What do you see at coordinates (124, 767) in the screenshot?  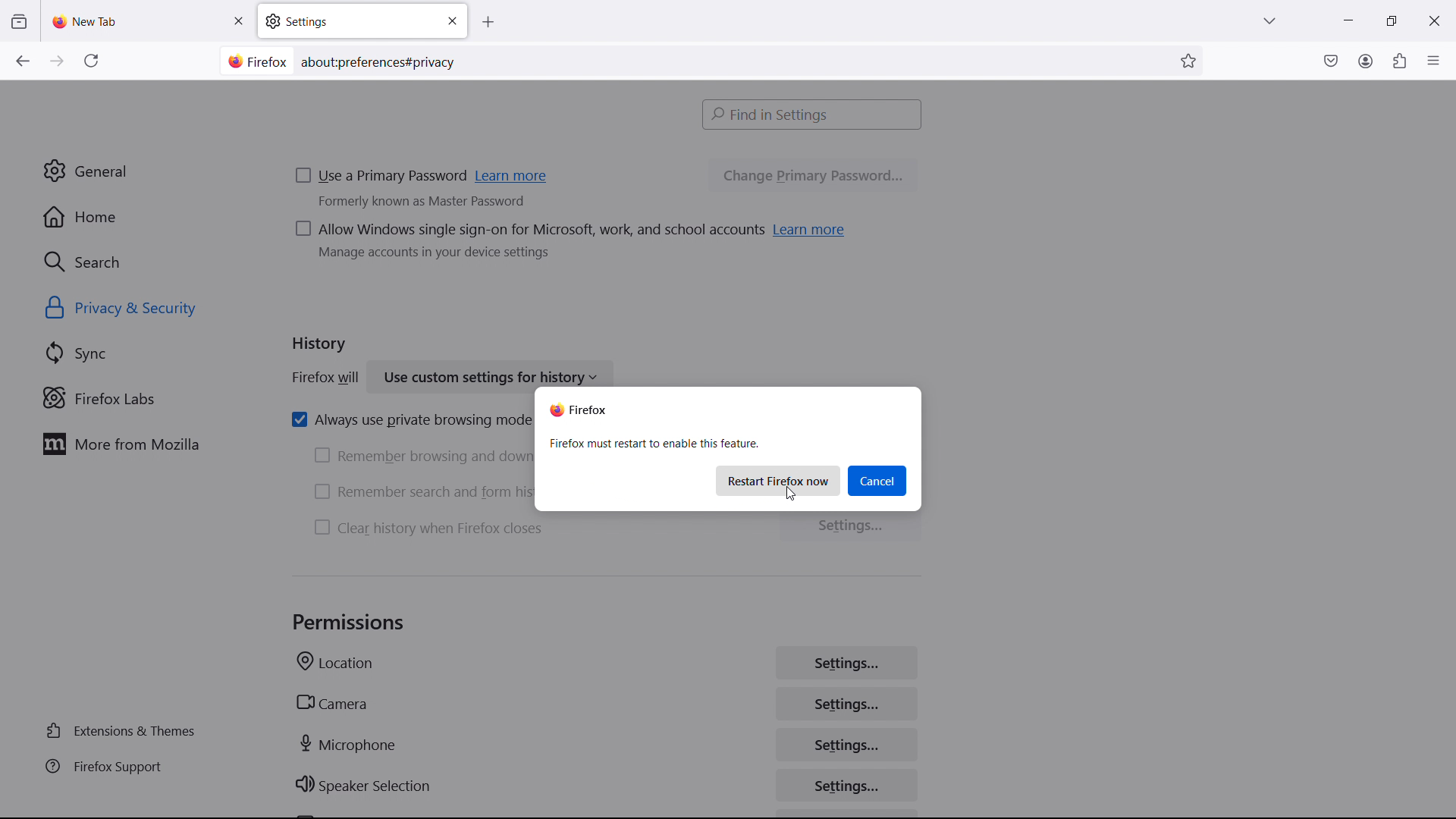 I see `firefox support` at bounding box center [124, 767].